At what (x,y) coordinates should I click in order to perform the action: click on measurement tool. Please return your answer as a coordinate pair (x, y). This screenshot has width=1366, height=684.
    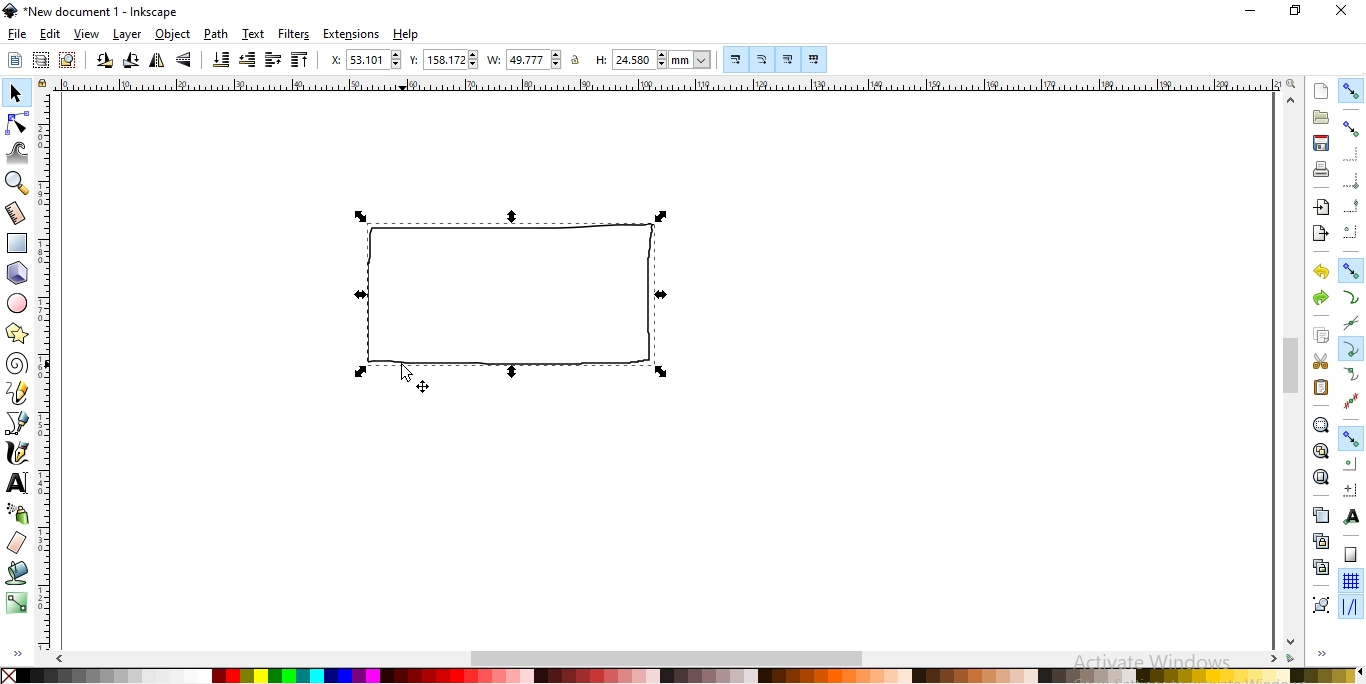
    Looking at the image, I should click on (14, 212).